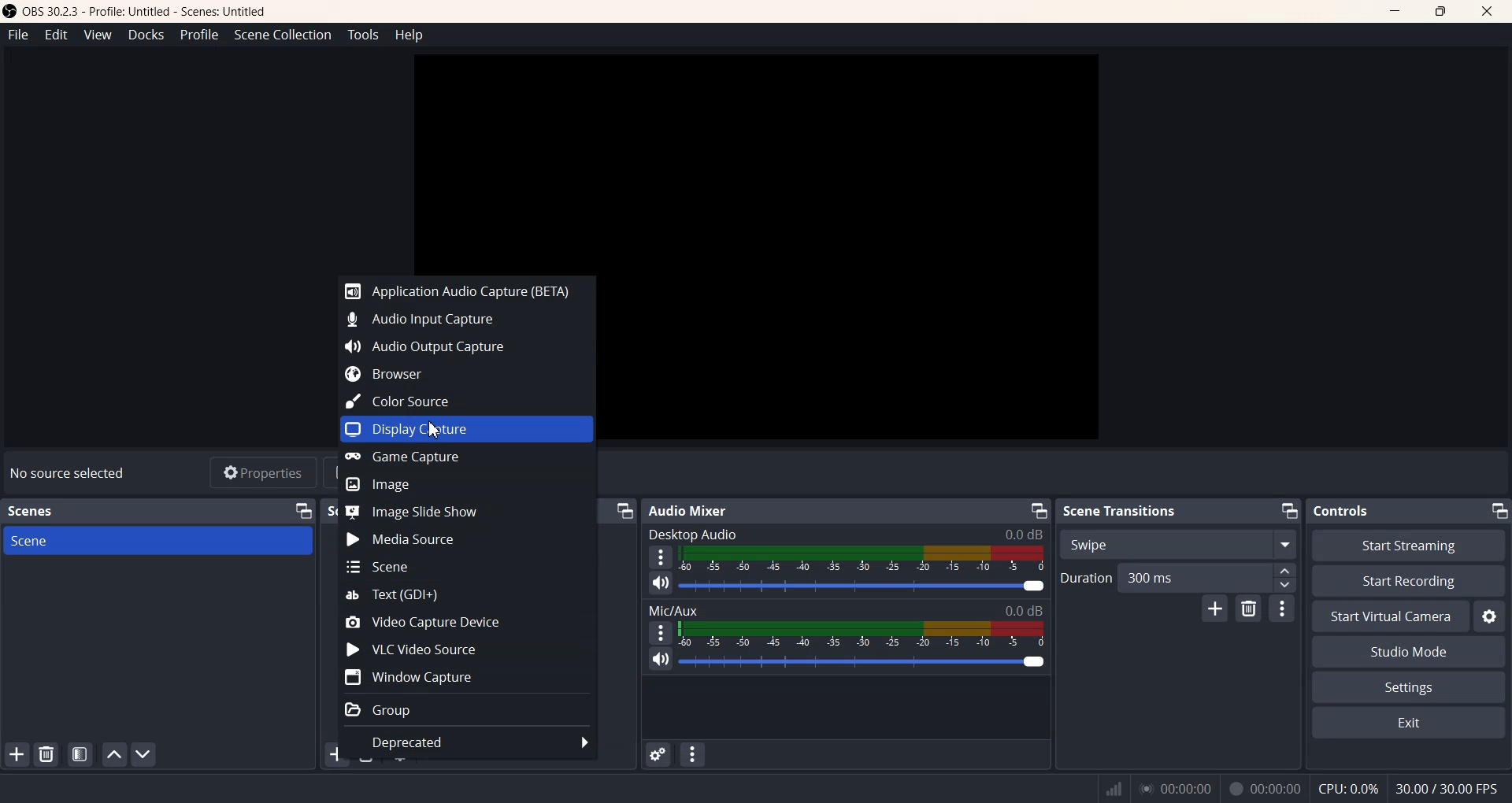 Image resolution: width=1512 pixels, height=803 pixels. Describe the element at coordinates (464, 290) in the screenshot. I see `Application audio Capture` at that location.